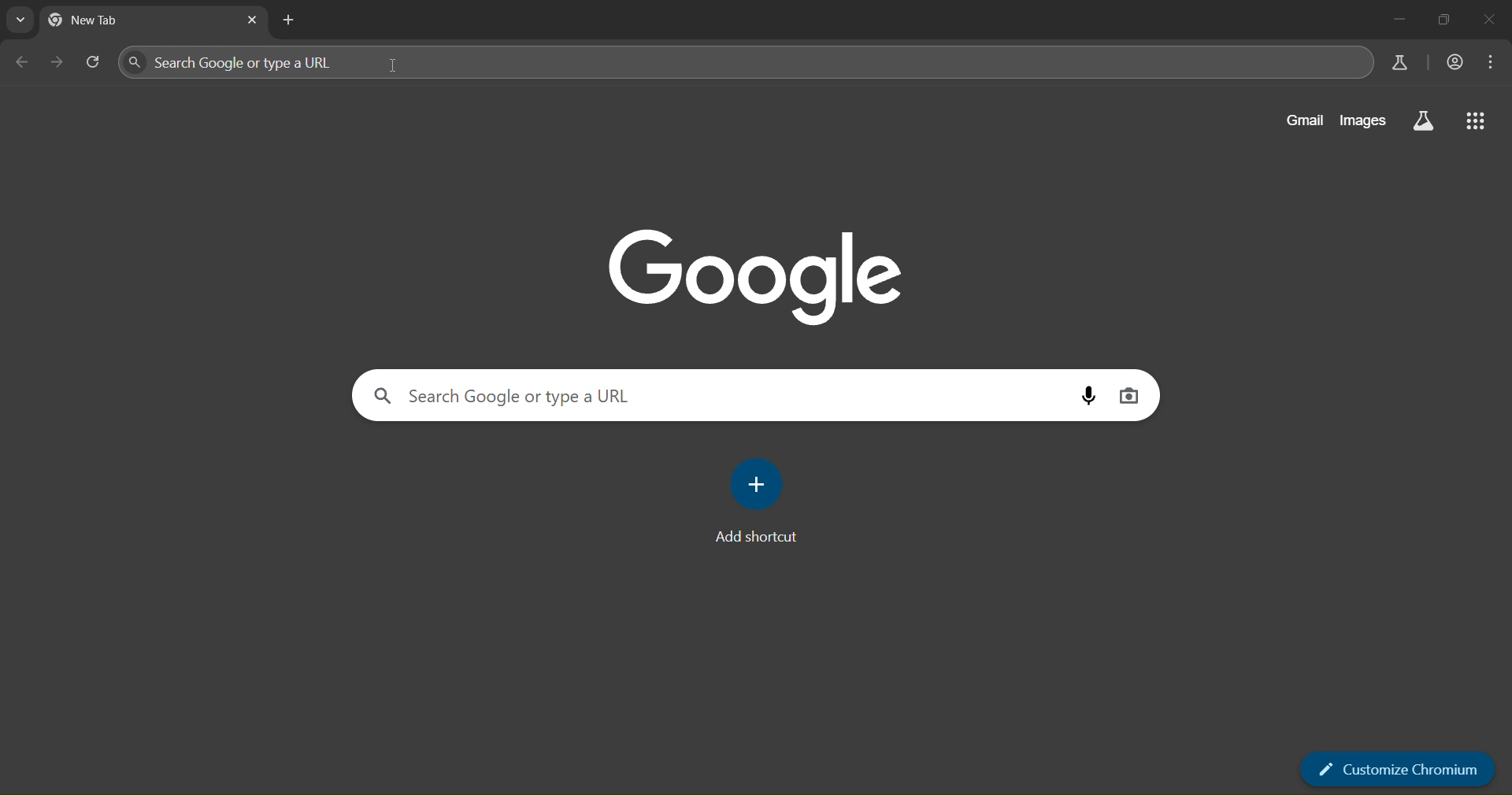 The image size is (1512, 795). I want to click on close tab, so click(254, 20).